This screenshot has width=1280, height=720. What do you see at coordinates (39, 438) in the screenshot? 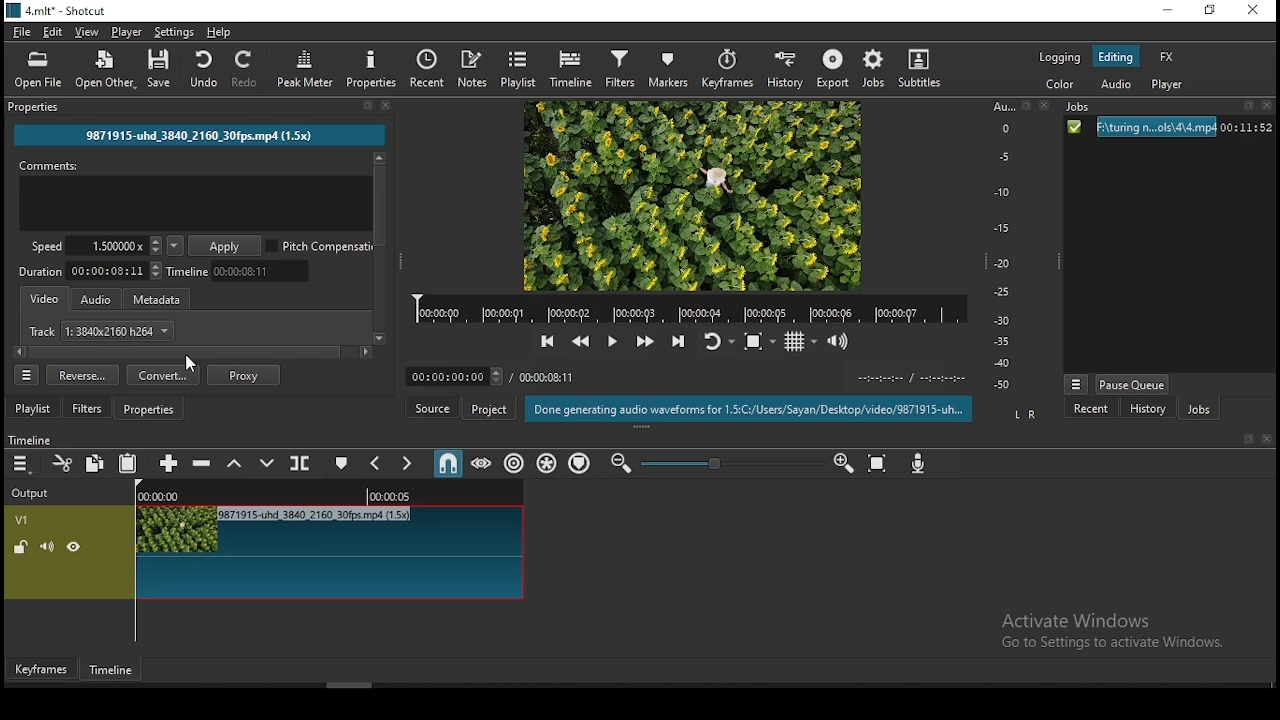
I see `timeline` at bounding box center [39, 438].